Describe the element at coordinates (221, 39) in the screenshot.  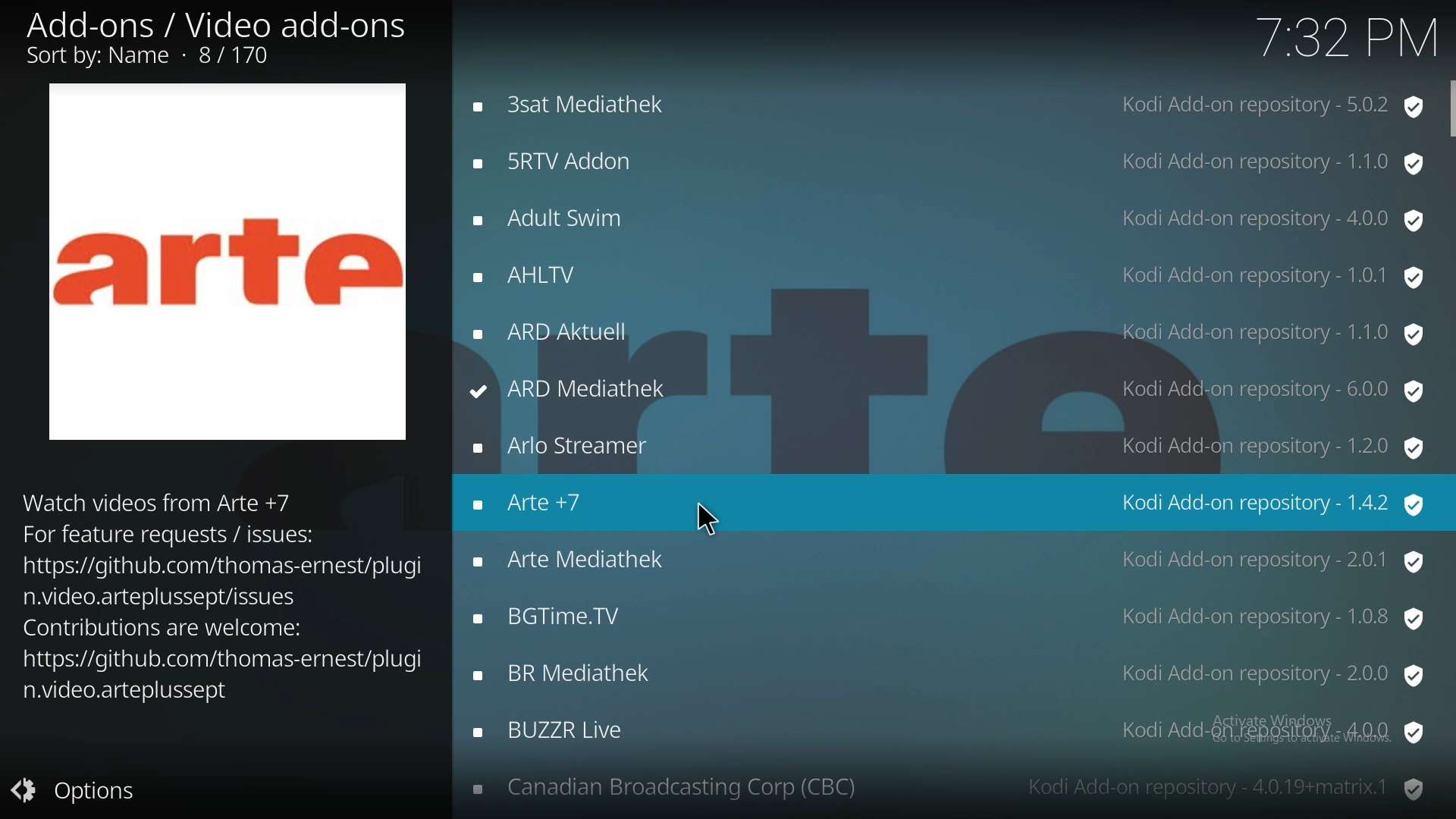
I see `video add ons` at that location.